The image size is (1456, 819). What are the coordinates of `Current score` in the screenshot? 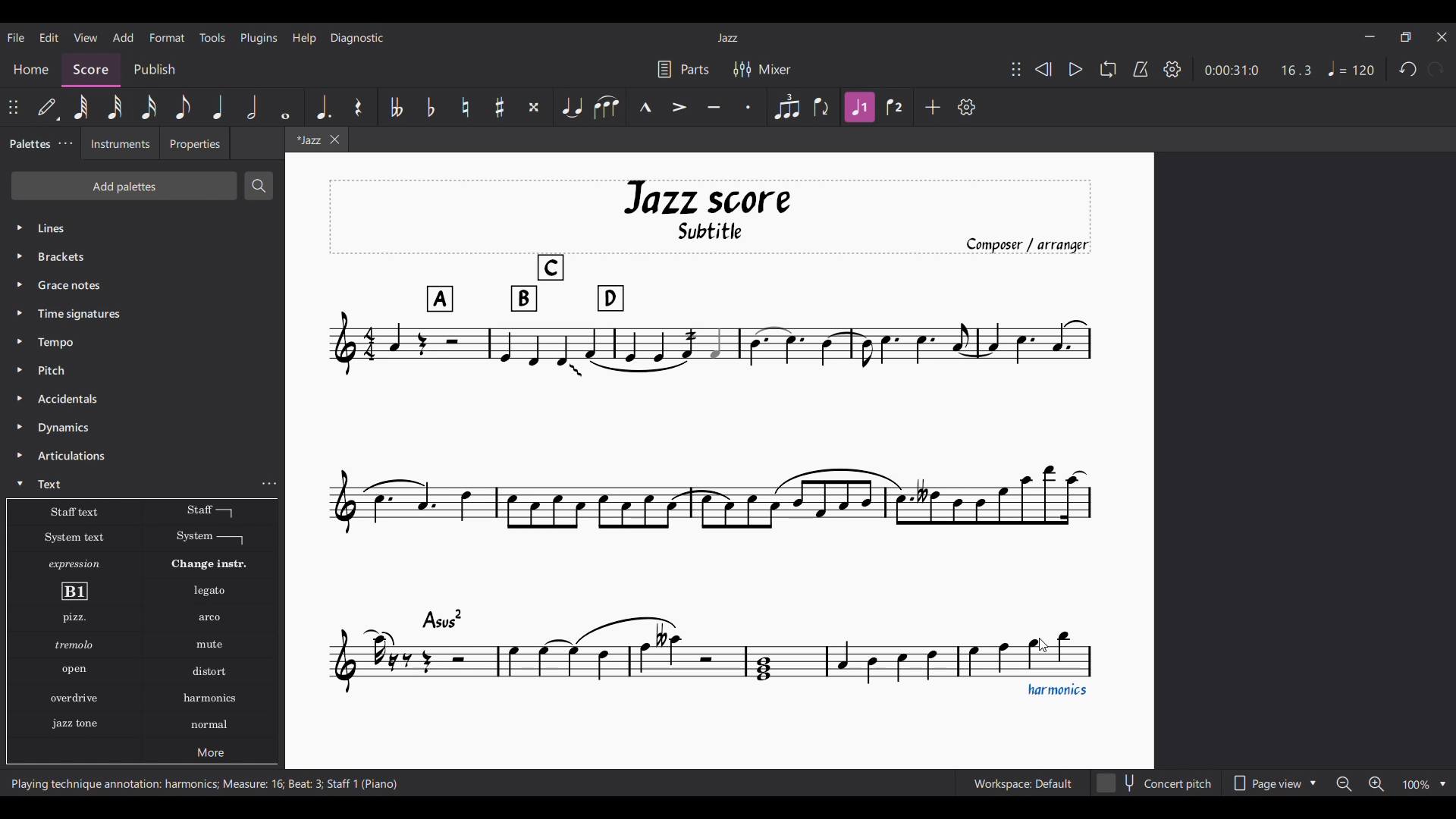 It's located at (725, 373).